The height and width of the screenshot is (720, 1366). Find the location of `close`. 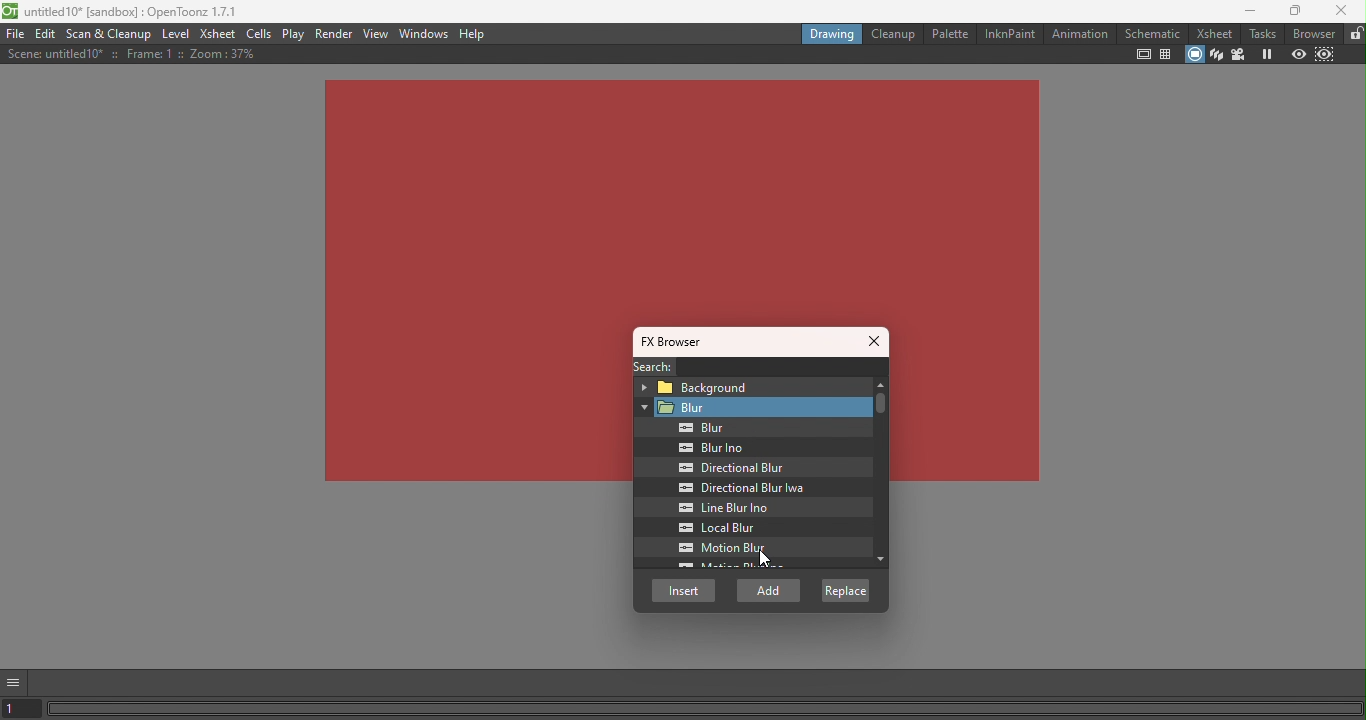

close is located at coordinates (1342, 9).